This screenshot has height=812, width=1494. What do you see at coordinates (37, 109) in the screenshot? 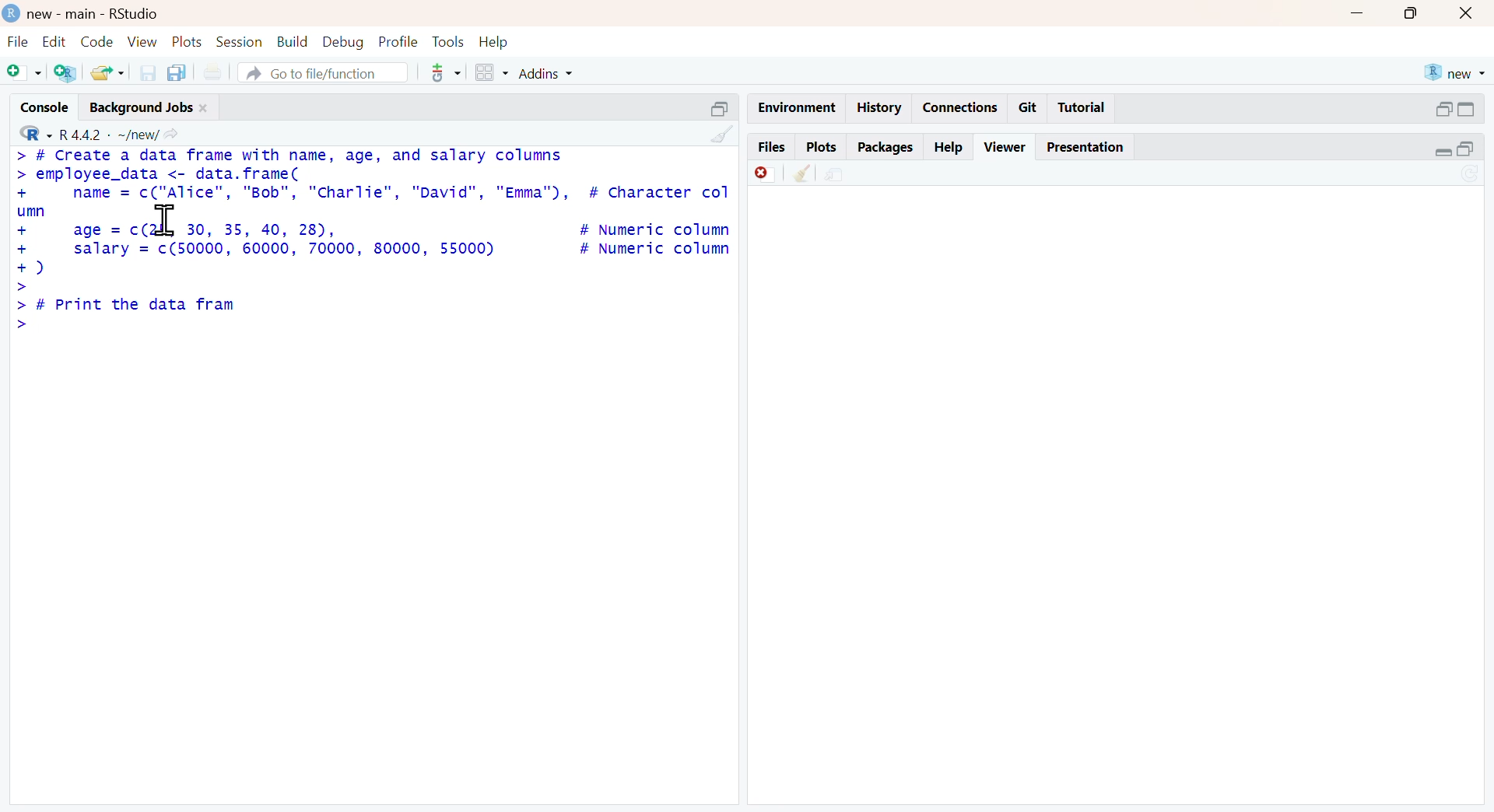
I see `Console` at bounding box center [37, 109].